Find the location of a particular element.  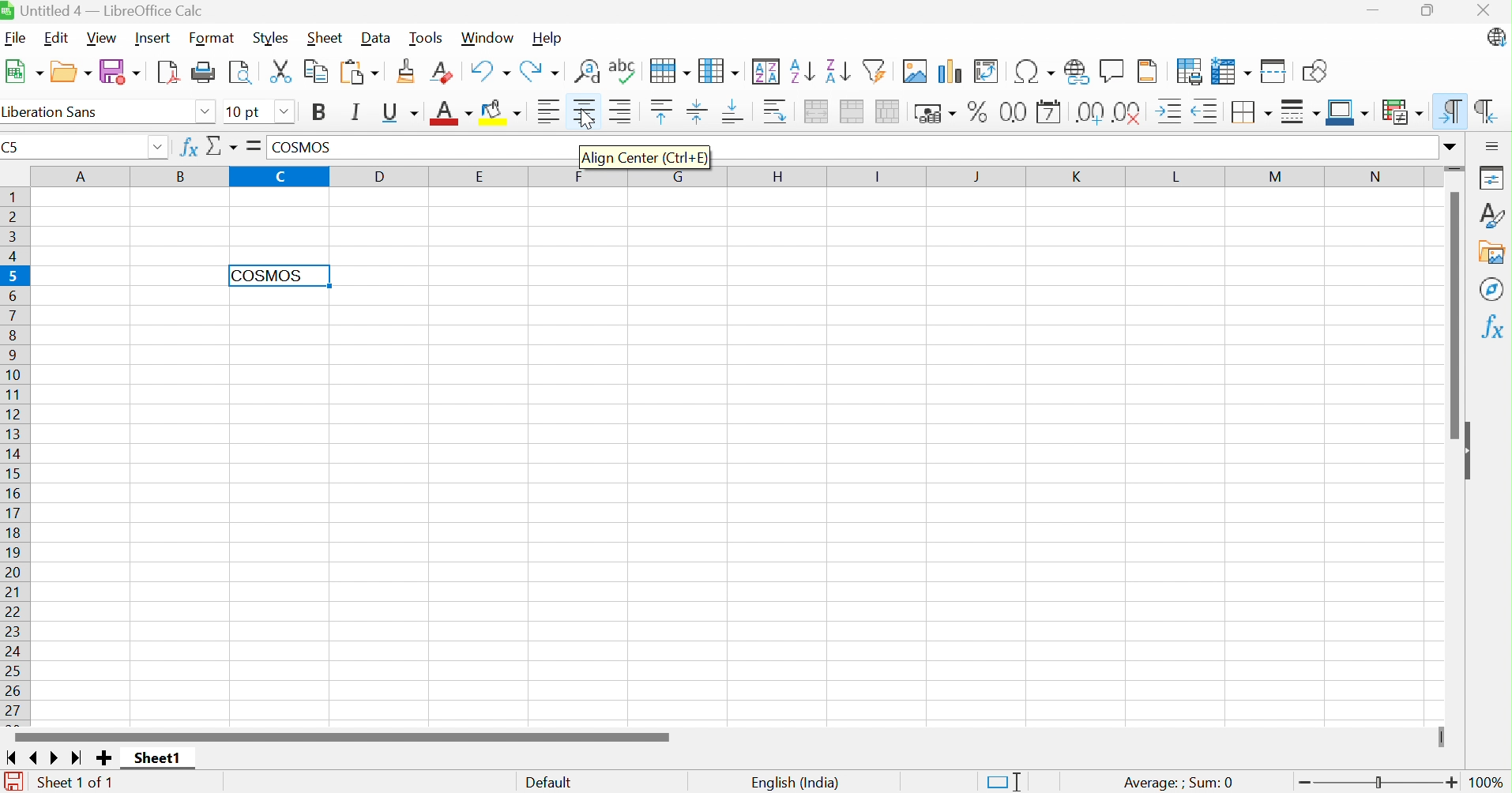

Edit is located at coordinates (57, 39).